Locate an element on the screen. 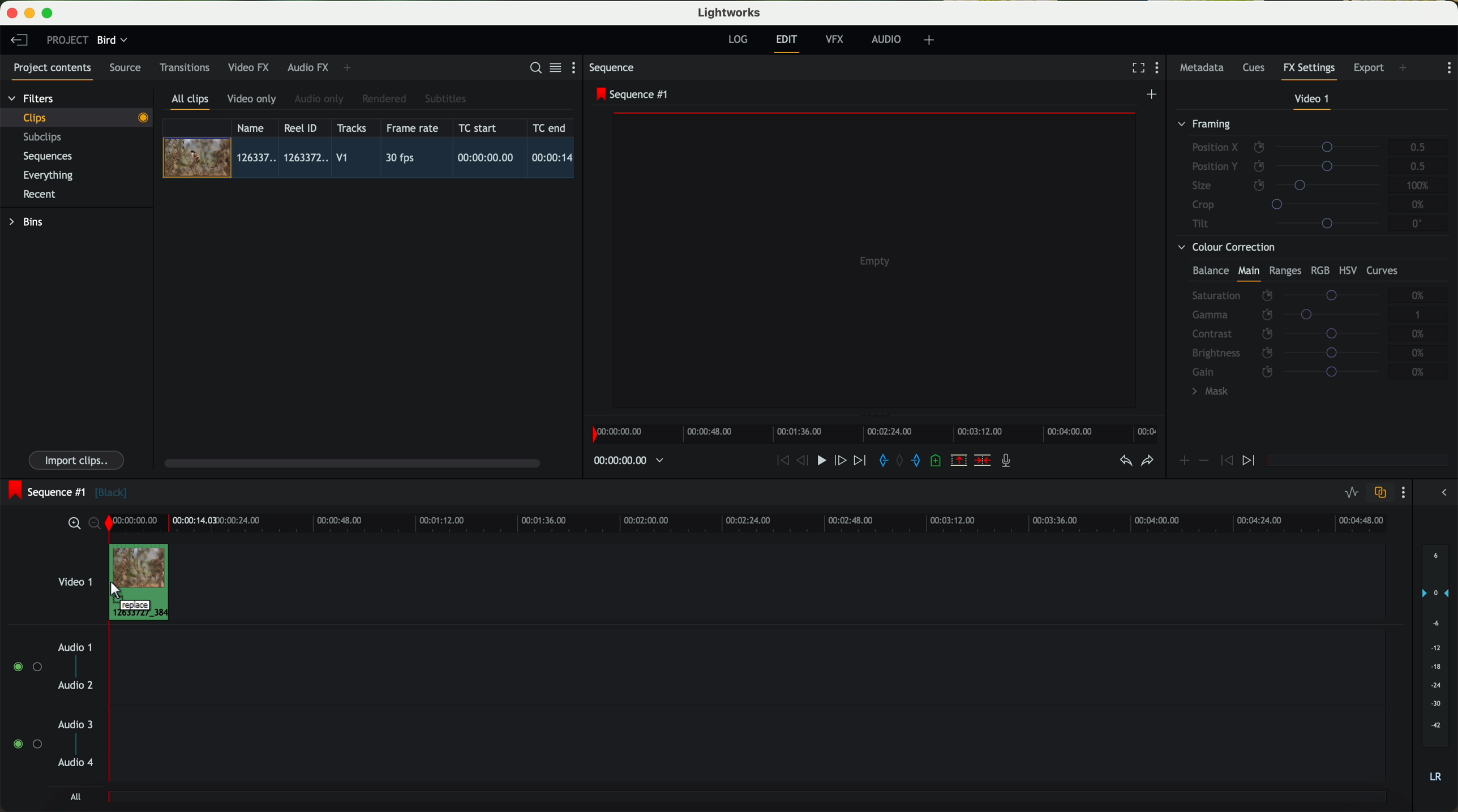 Image resolution: width=1458 pixels, height=812 pixels. 0% is located at coordinates (1420, 334).